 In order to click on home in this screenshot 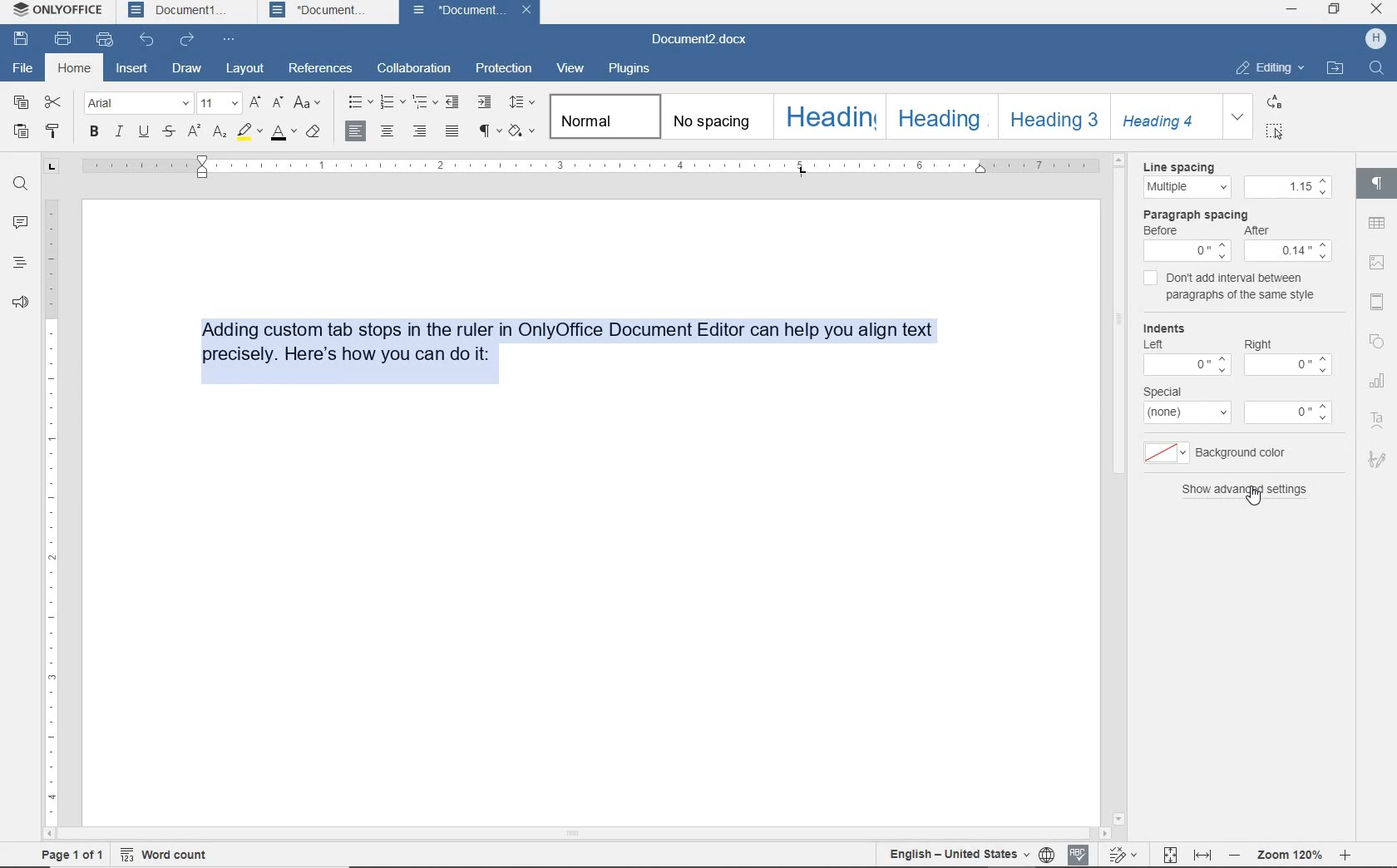, I will do `click(74, 69)`.